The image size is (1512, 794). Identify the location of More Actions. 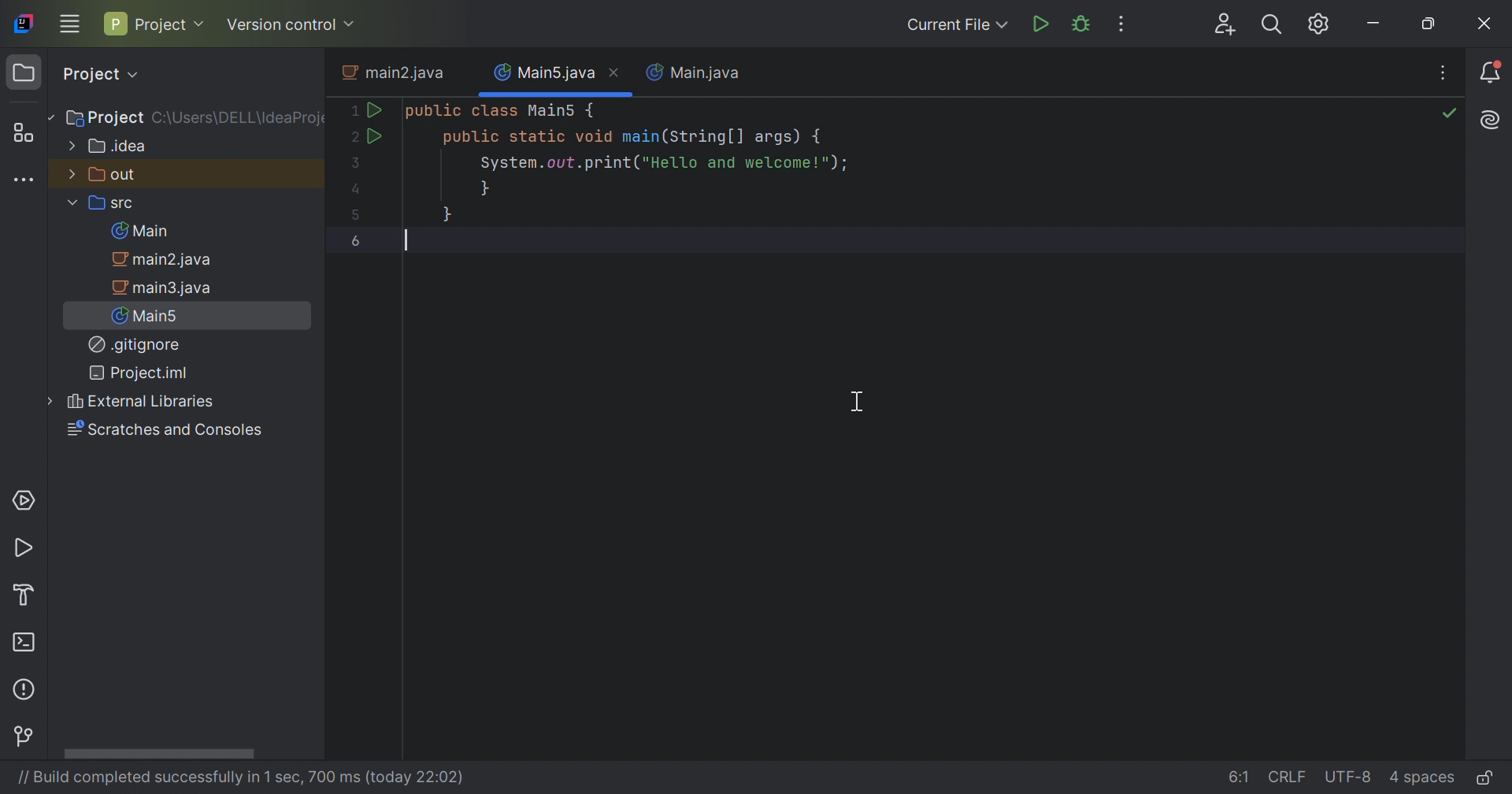
(1118, 24).